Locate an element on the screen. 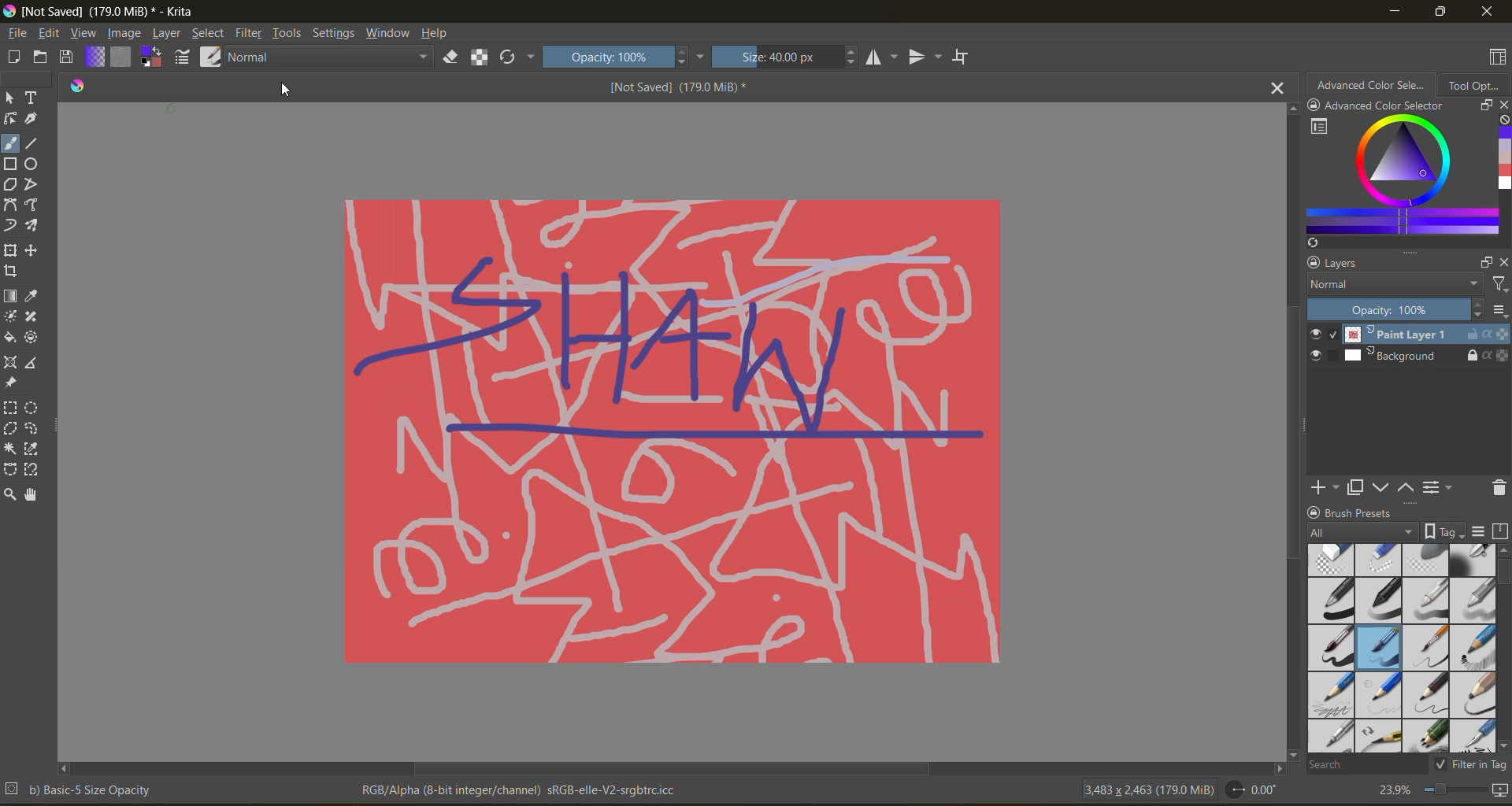  Opacity: 100% is located at coordinates (1394, 310).